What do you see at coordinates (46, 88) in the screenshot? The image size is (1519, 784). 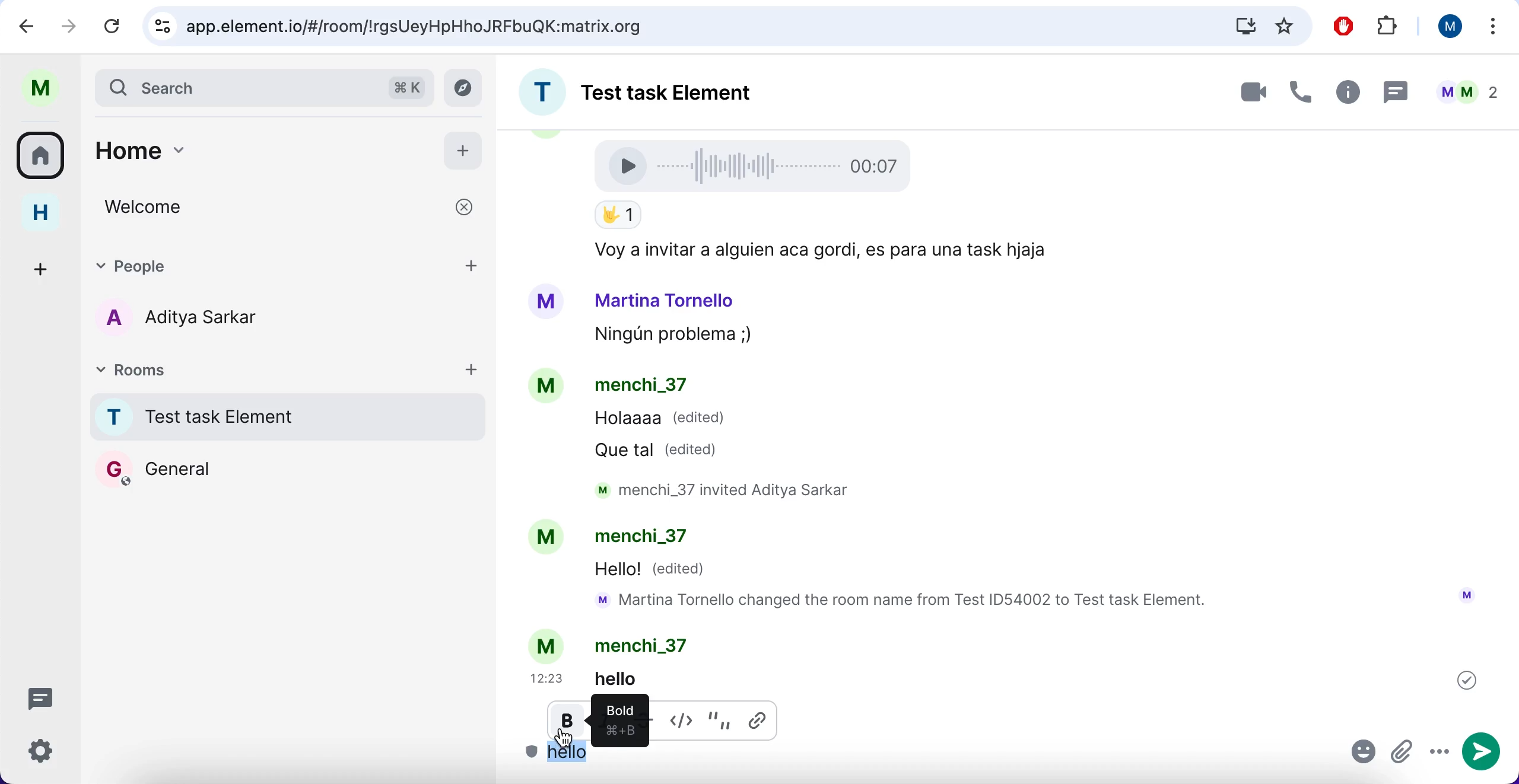 I see `user` at bounding box center [46, 88].